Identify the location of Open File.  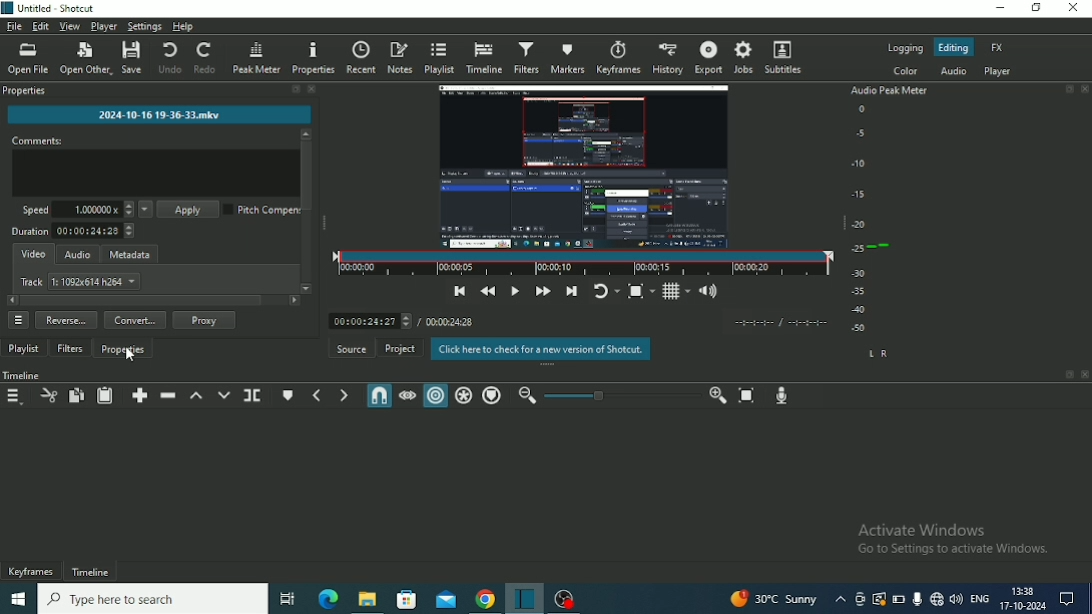
(27, 59).